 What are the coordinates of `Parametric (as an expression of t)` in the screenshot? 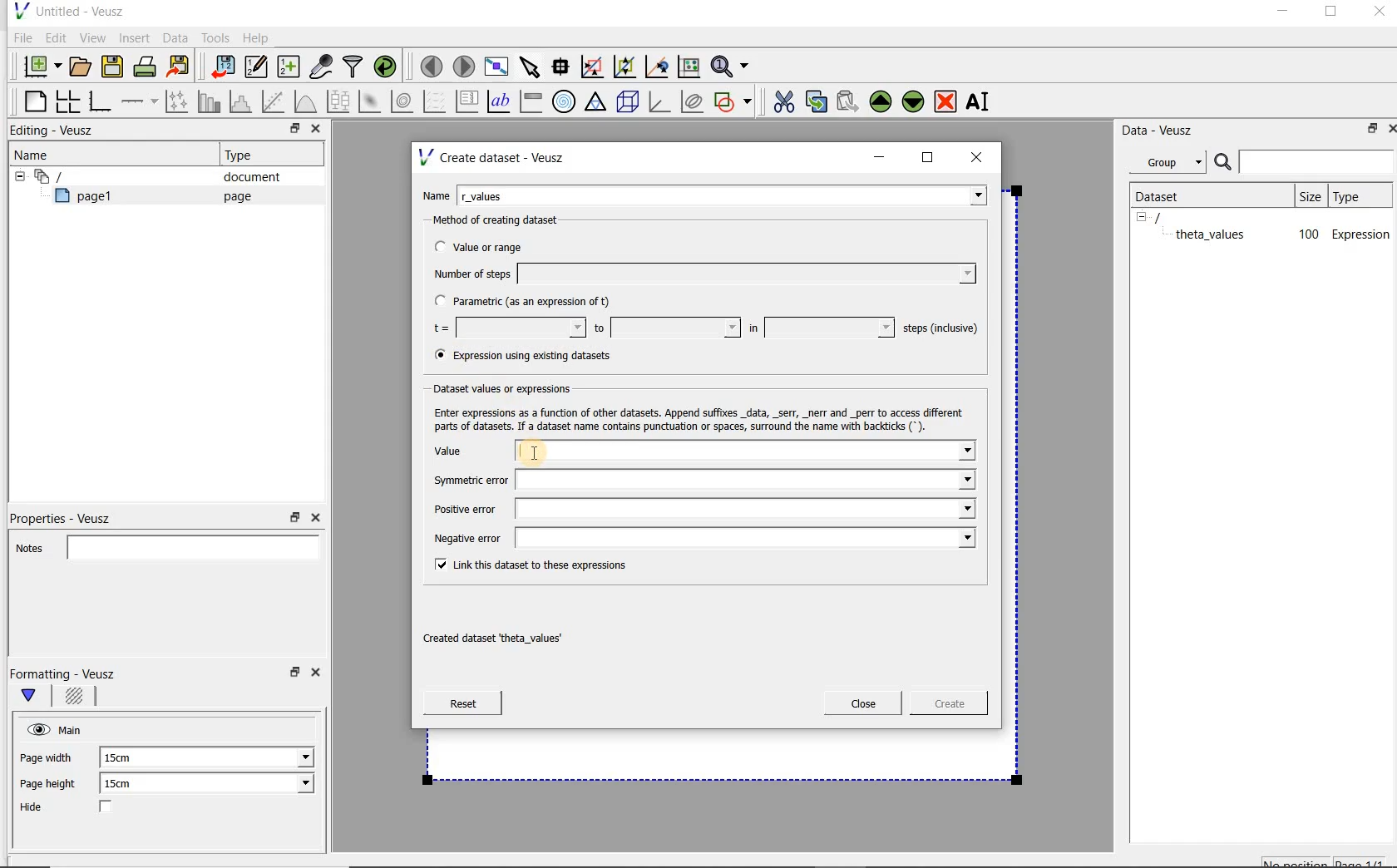 It's located at (530, 302).